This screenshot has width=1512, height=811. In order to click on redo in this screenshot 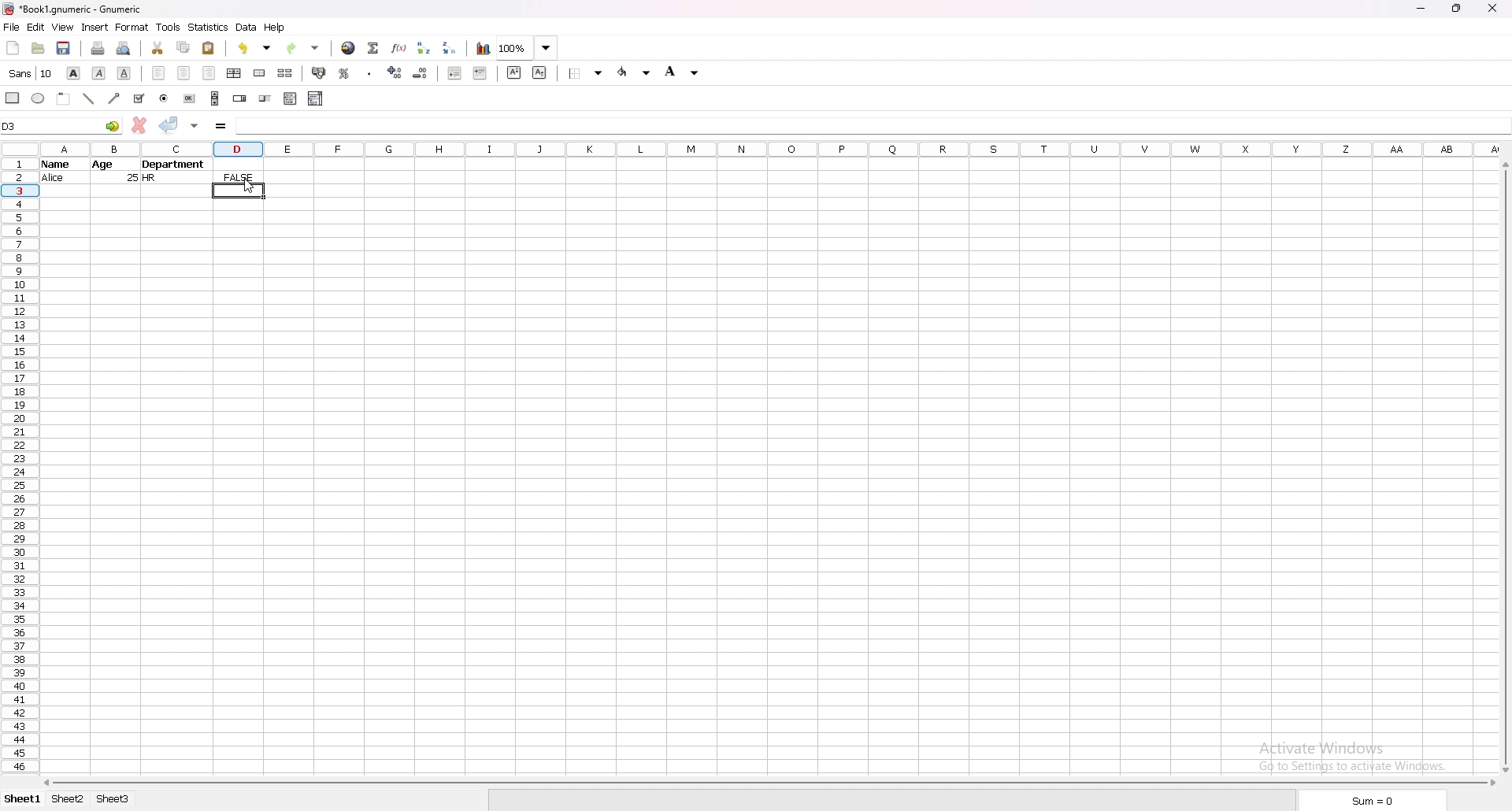, I will do `click(303, 49)`.